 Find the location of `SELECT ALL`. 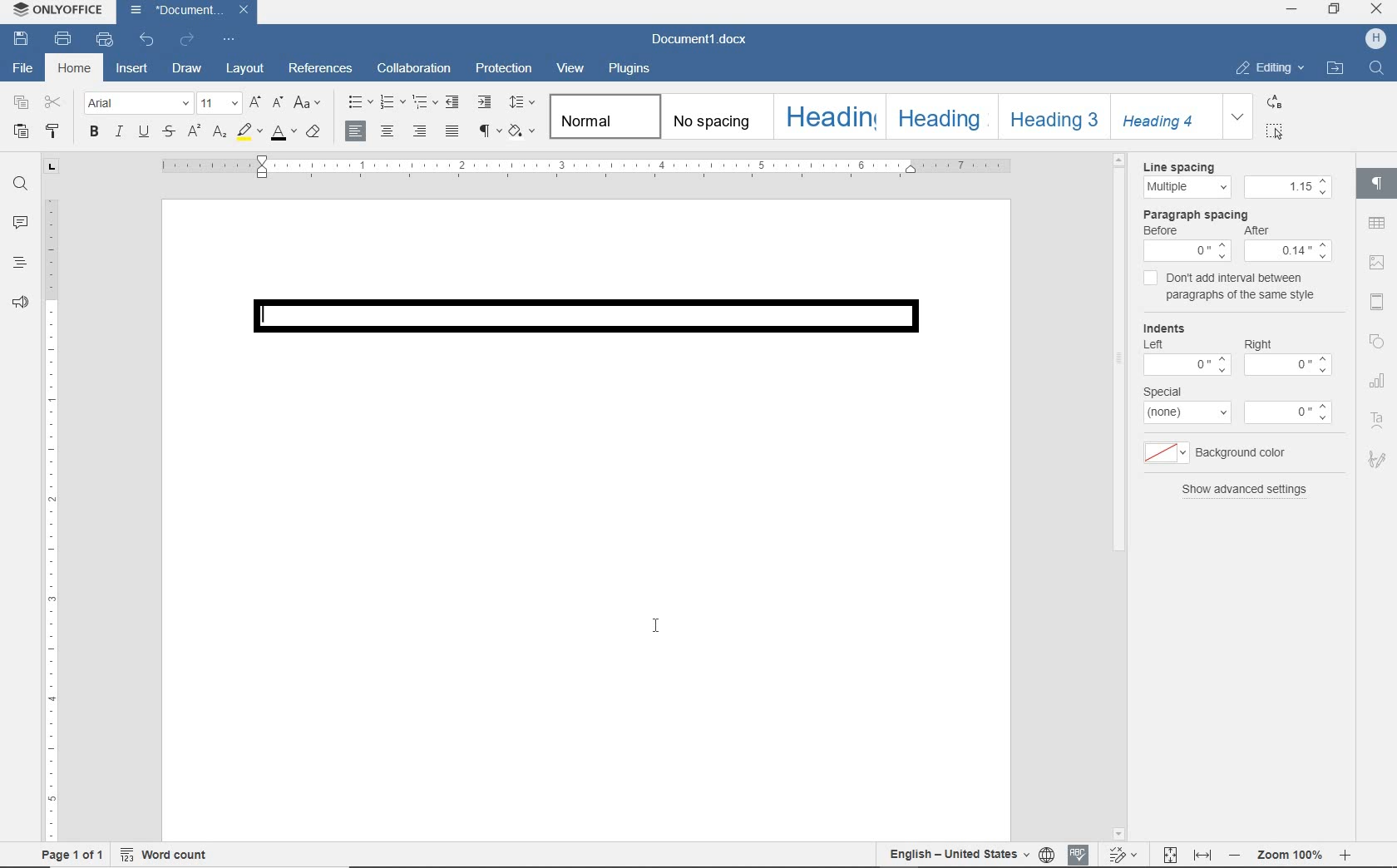

SELECT ALL is located at coordinates (1275, 131).